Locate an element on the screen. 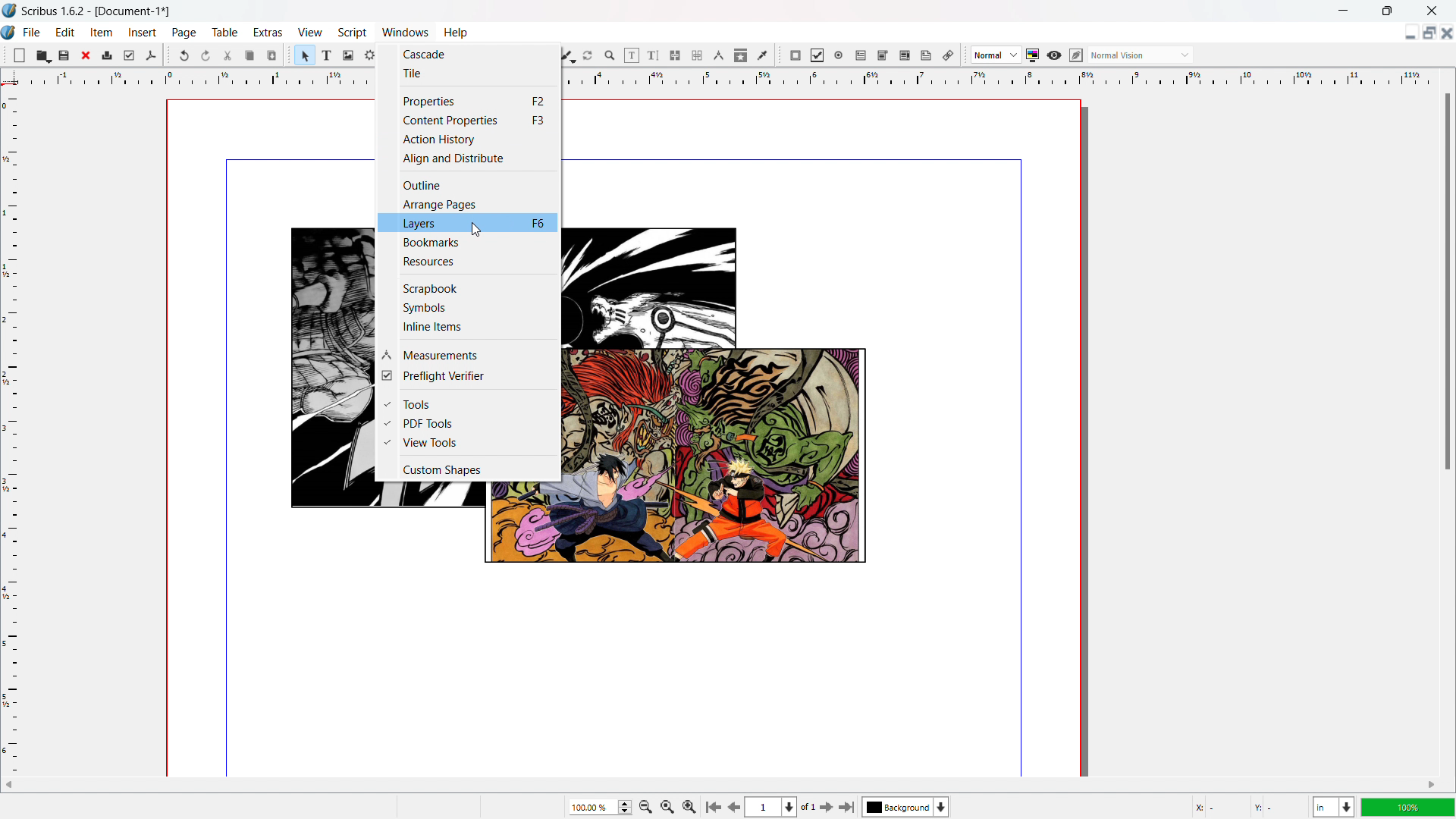 The width and height of the screenshot is (1456, 819). current proprties is located at coordinates (468, 120).